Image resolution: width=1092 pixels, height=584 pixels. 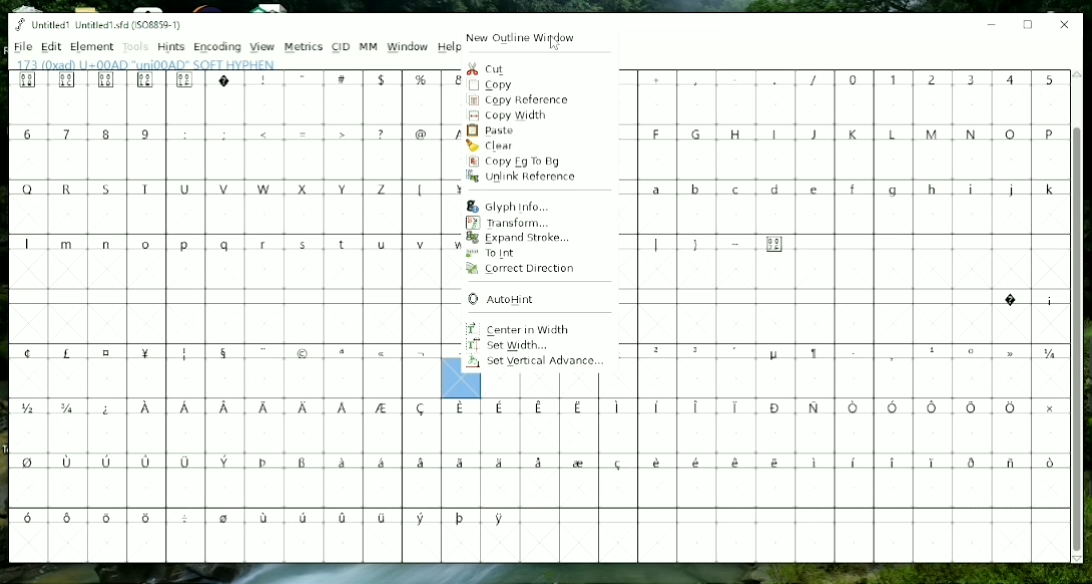 What do you see at coordinates (492, 86) in the screenshot?
I see `Copy` at bounding box center [492, 86].